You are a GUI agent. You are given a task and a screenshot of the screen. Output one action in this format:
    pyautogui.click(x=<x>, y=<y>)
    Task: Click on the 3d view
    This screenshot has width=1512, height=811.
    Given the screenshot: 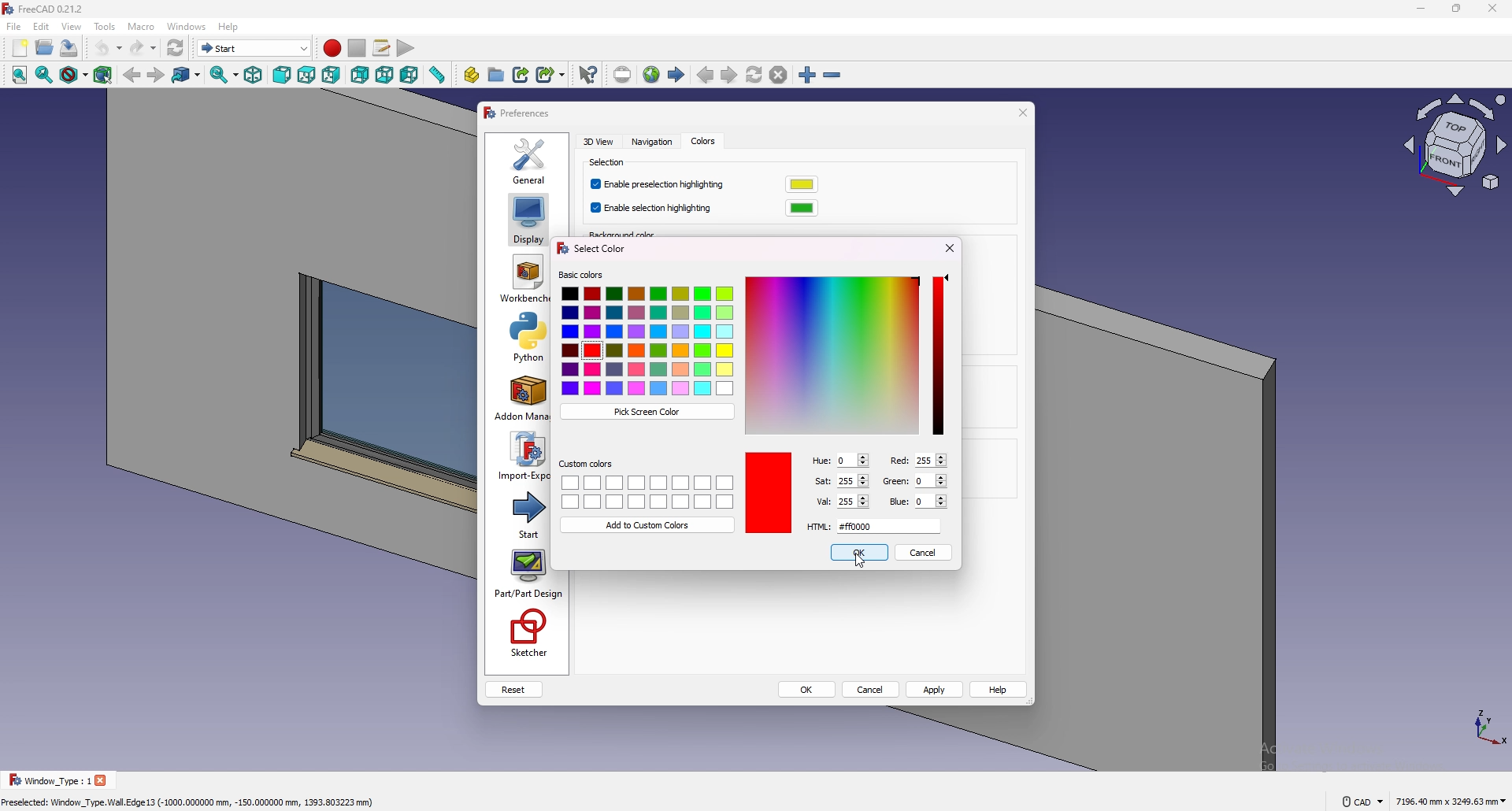 What is the action you would take?
    pyautogui.click(x=600, y=141)
    